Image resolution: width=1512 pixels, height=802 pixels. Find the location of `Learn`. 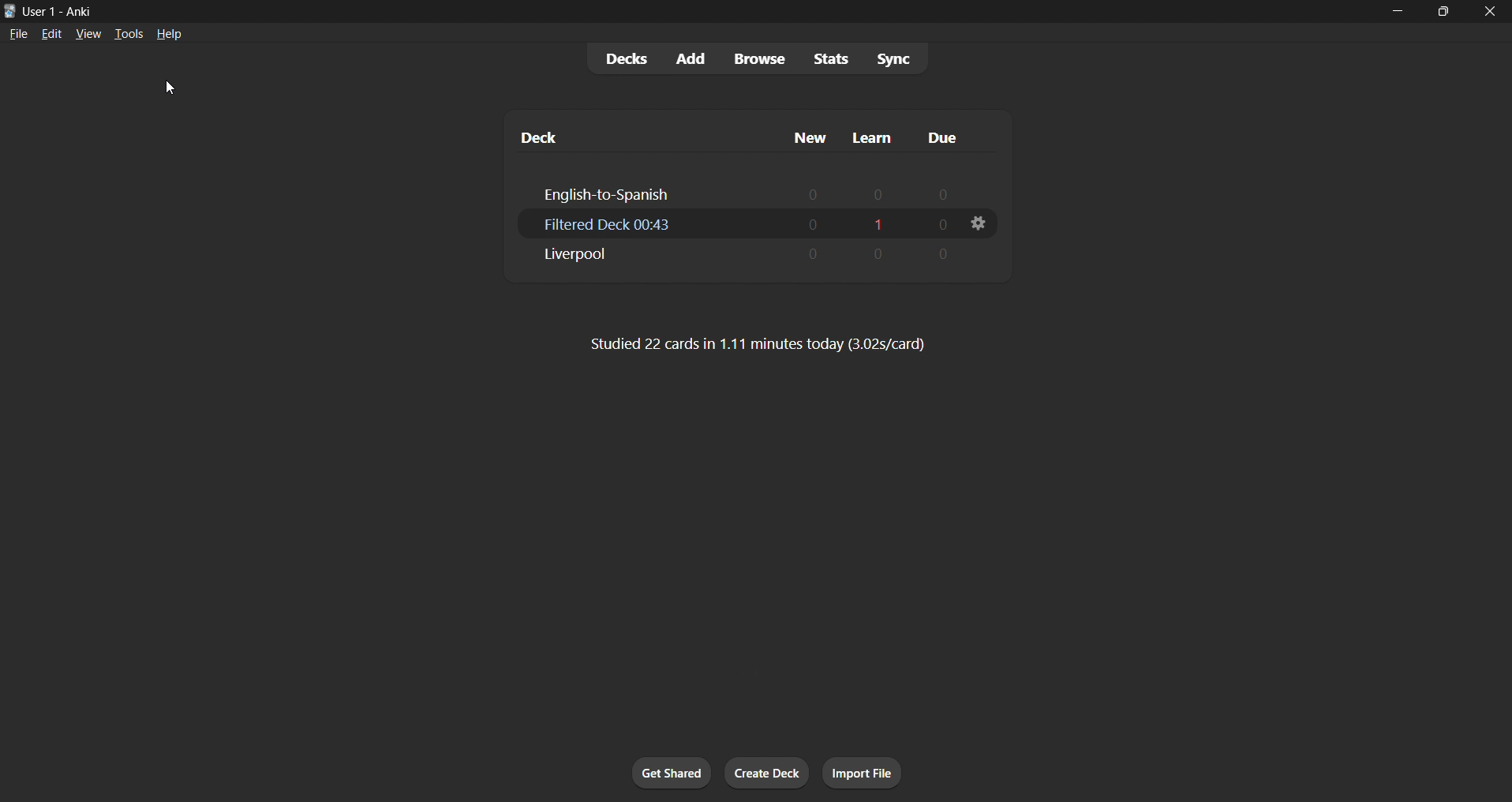

Learn is located at coordinates (874, 133).